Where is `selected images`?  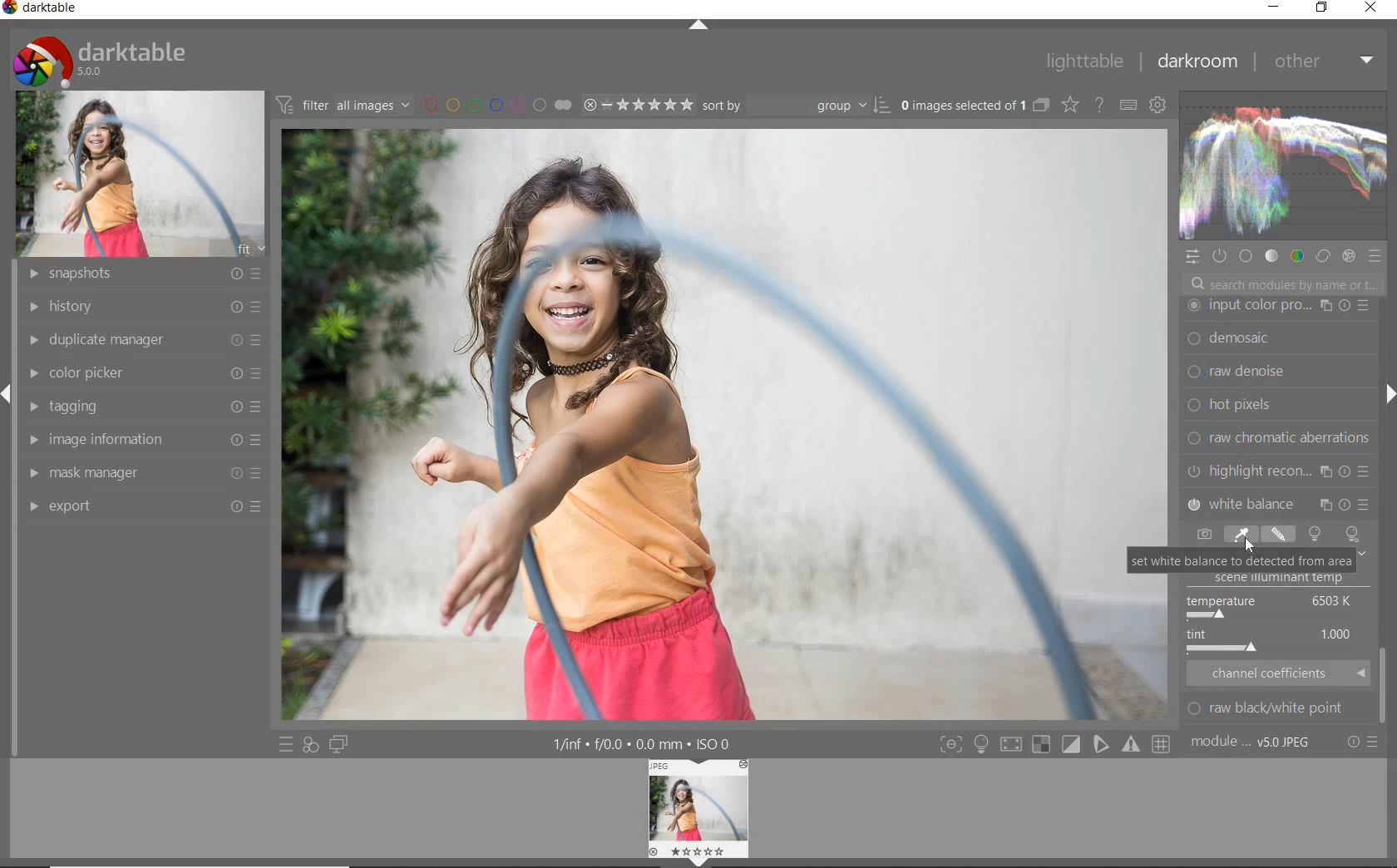
selected images is located at coordinates (961, 105).